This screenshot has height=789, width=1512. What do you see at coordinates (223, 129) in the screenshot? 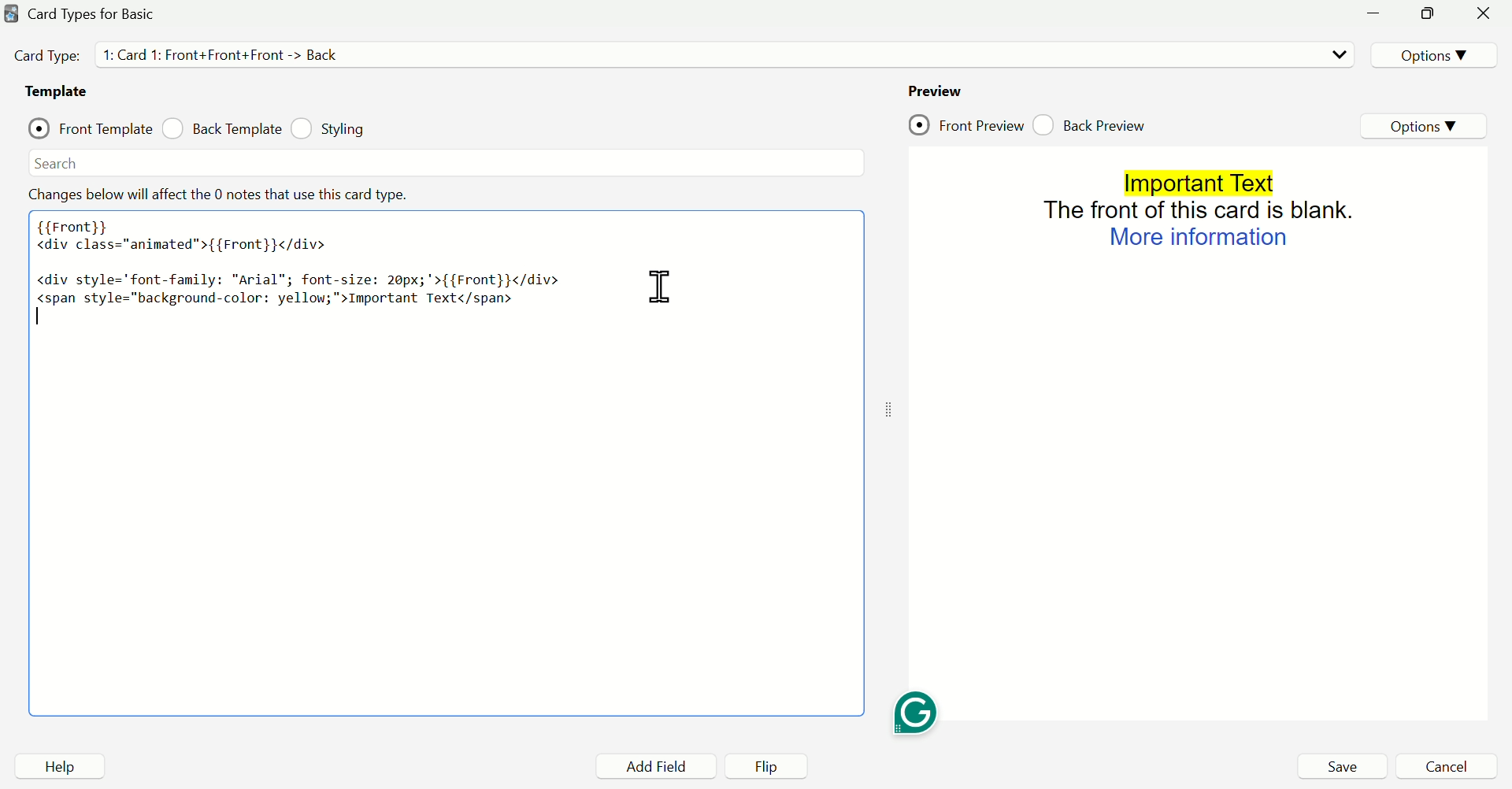
I see `check Back Template` at bounding box center [223, 129].